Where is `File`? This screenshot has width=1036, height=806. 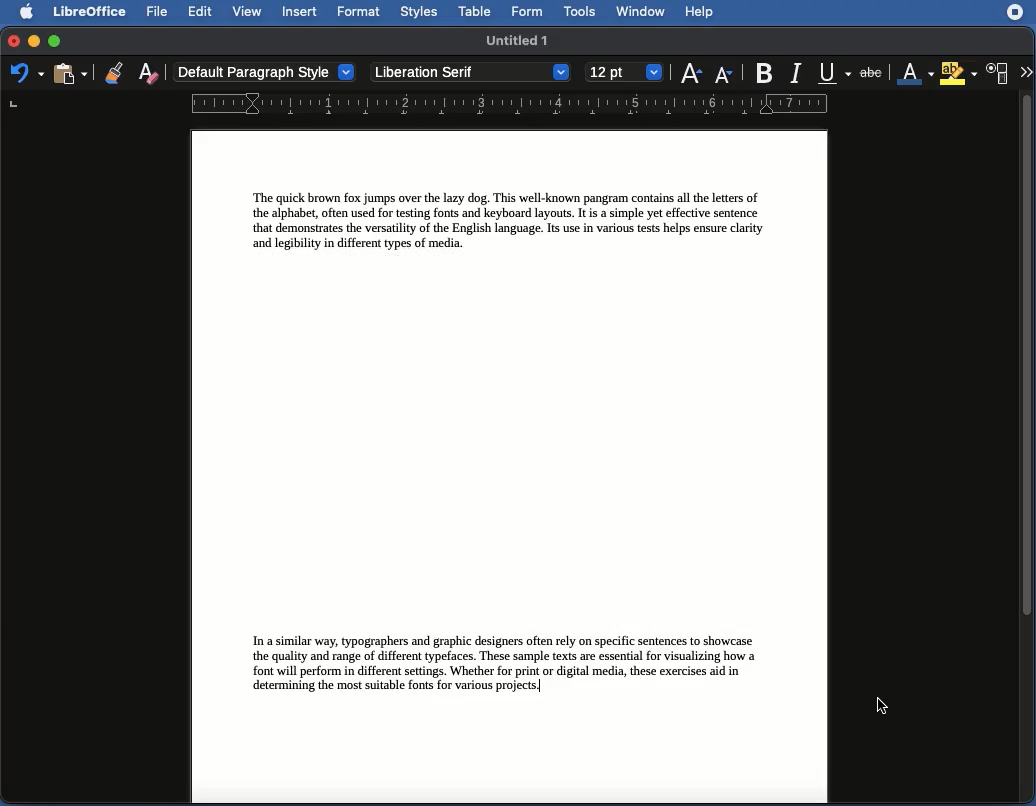 File is located at coordinates (155, 12).